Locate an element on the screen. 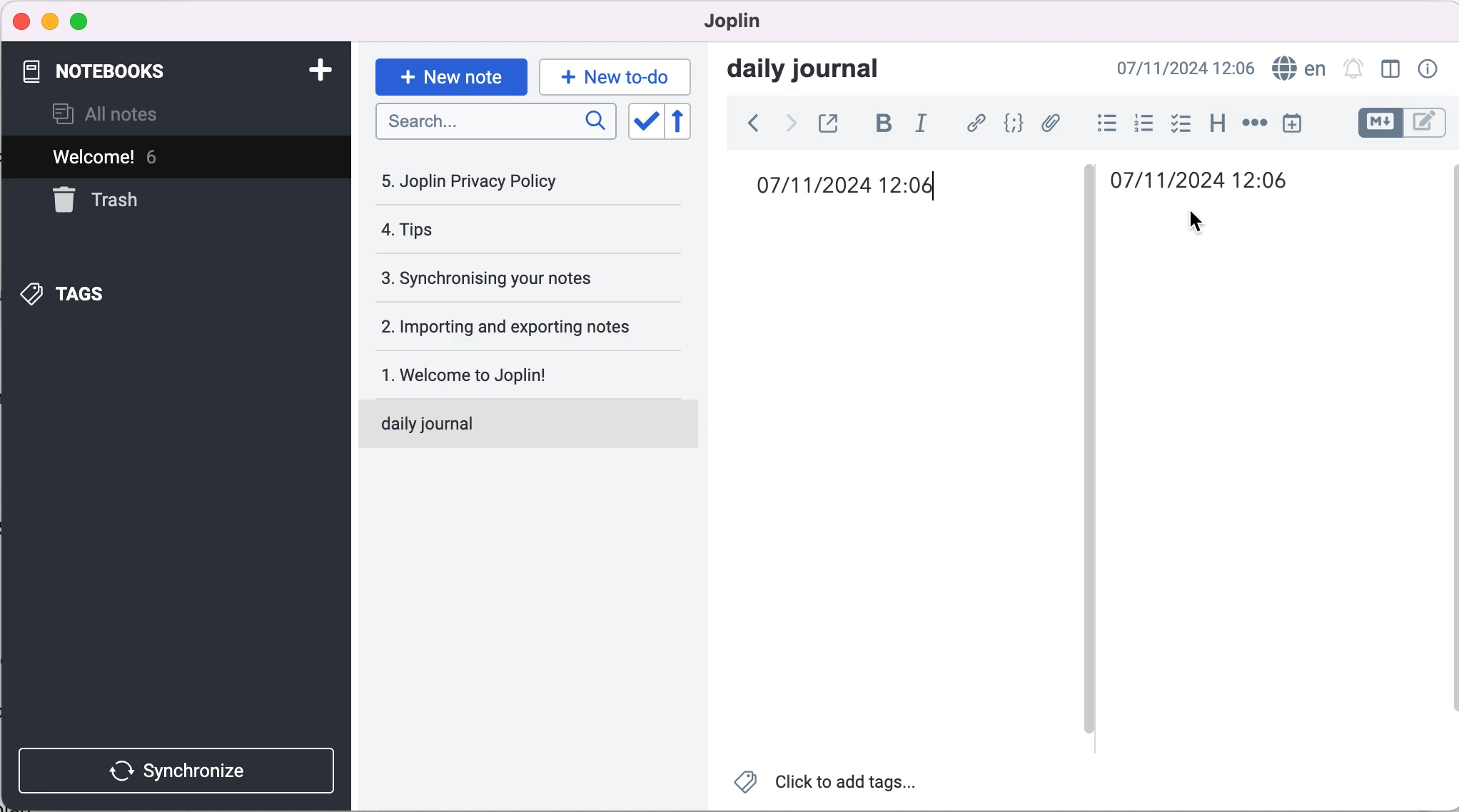  synchronising your notes is located at coordinates (508, 278).